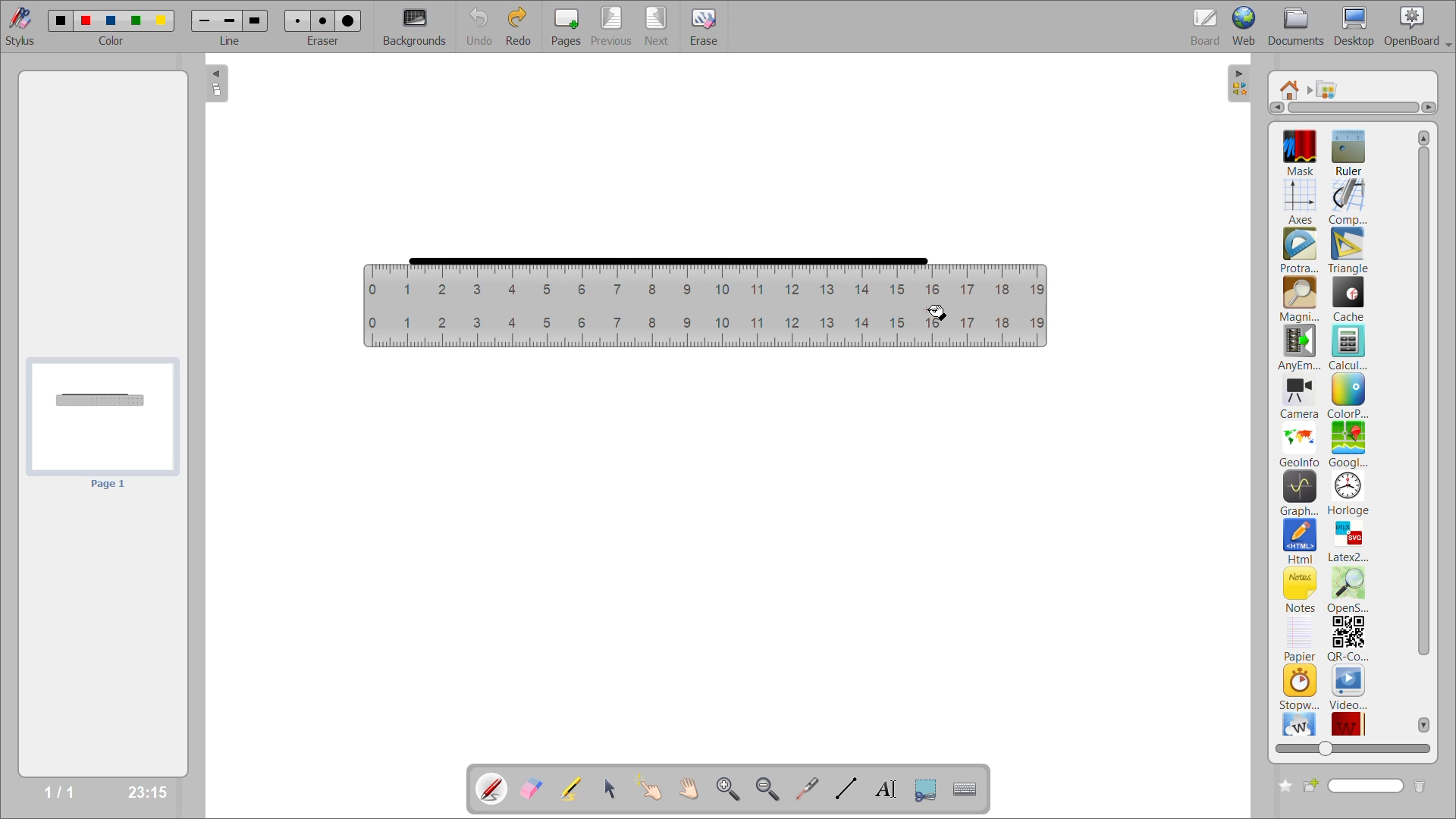  I want to click on erase annotation, so click(533, 789).